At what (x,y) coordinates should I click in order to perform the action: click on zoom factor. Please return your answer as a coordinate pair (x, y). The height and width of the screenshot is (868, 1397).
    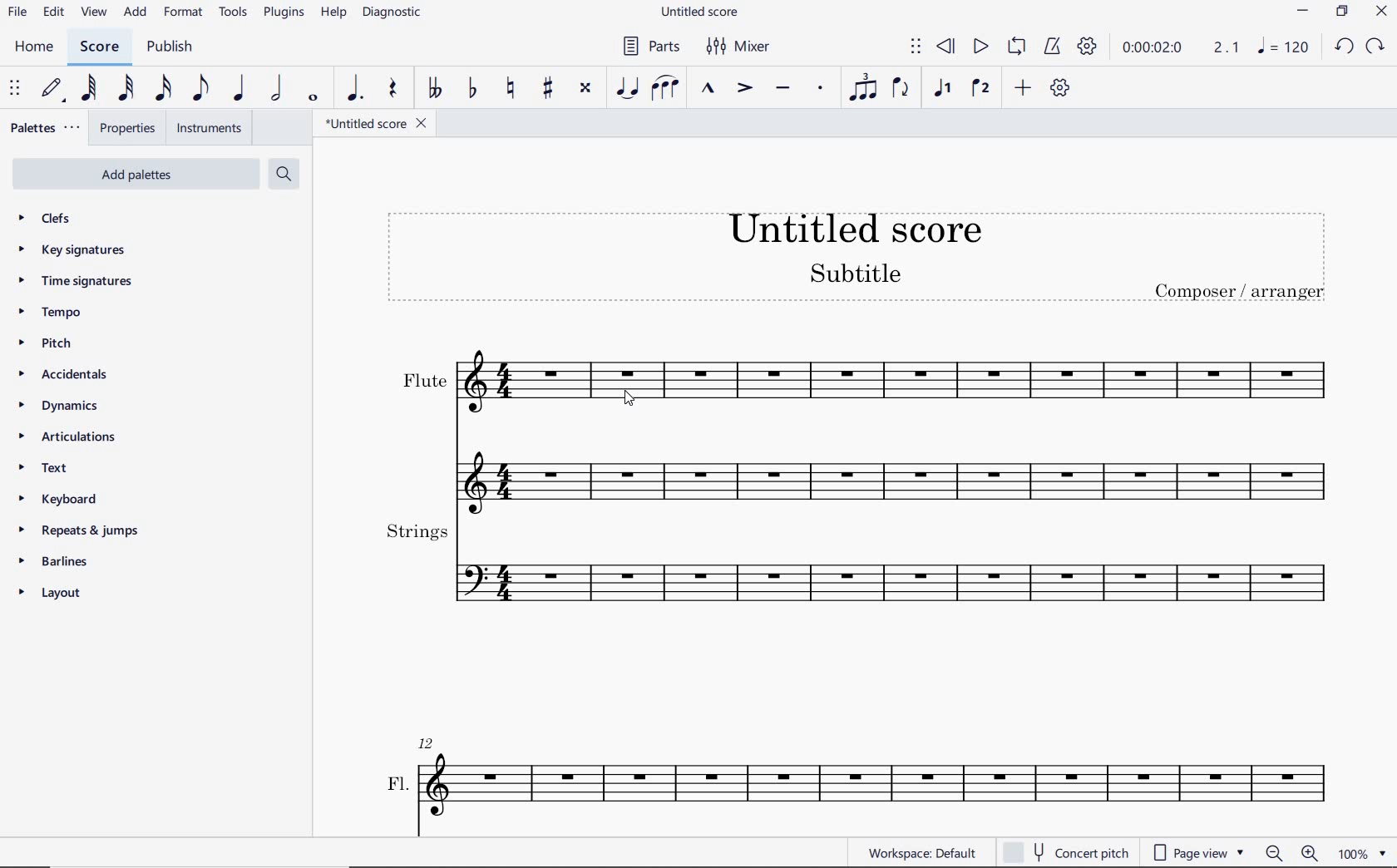
    Looking at the image, I should click on (1364, 853).